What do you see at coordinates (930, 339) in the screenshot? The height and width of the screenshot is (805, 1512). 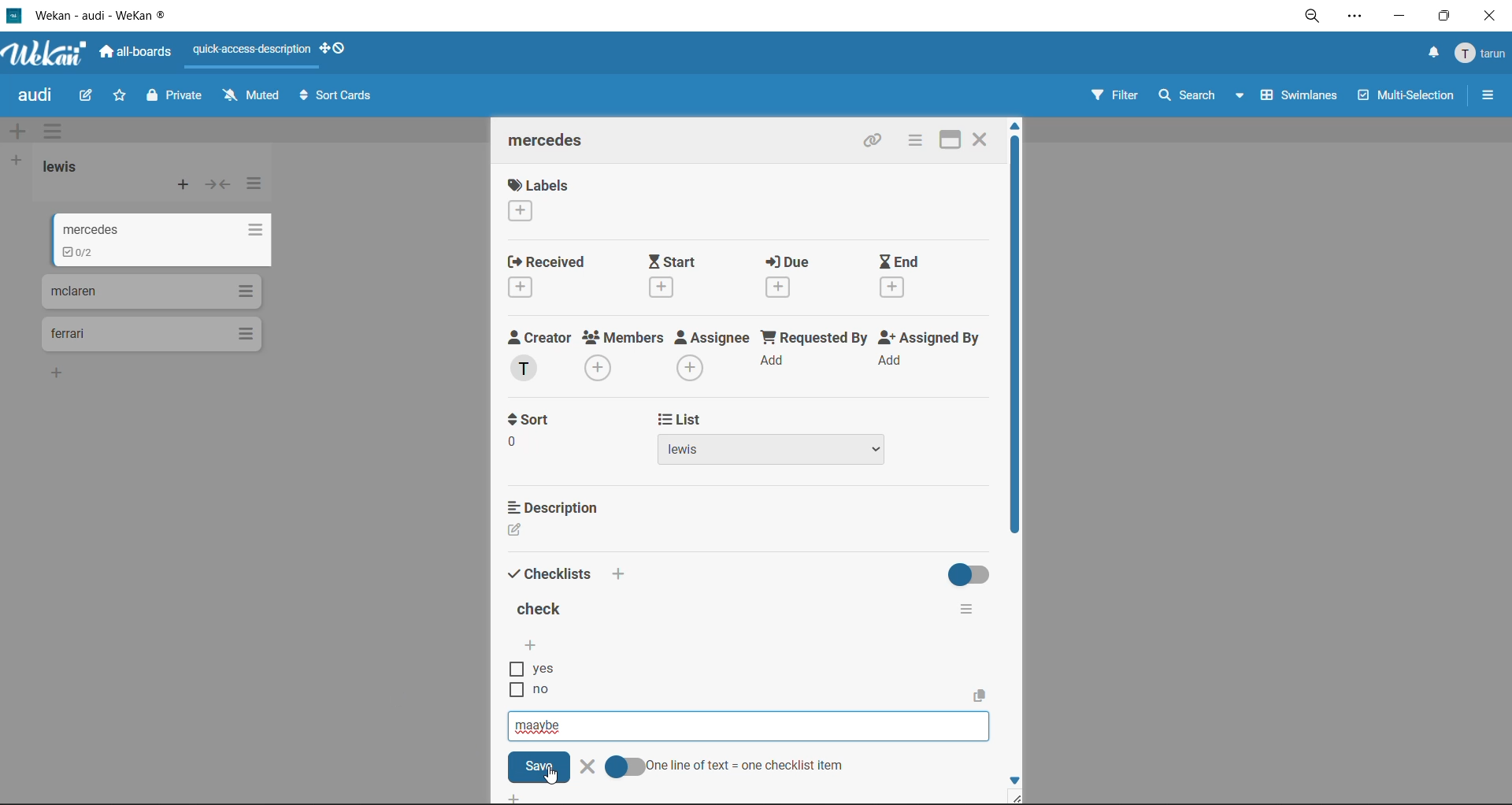 I see `assigned by` at bounding box center [930, 339].